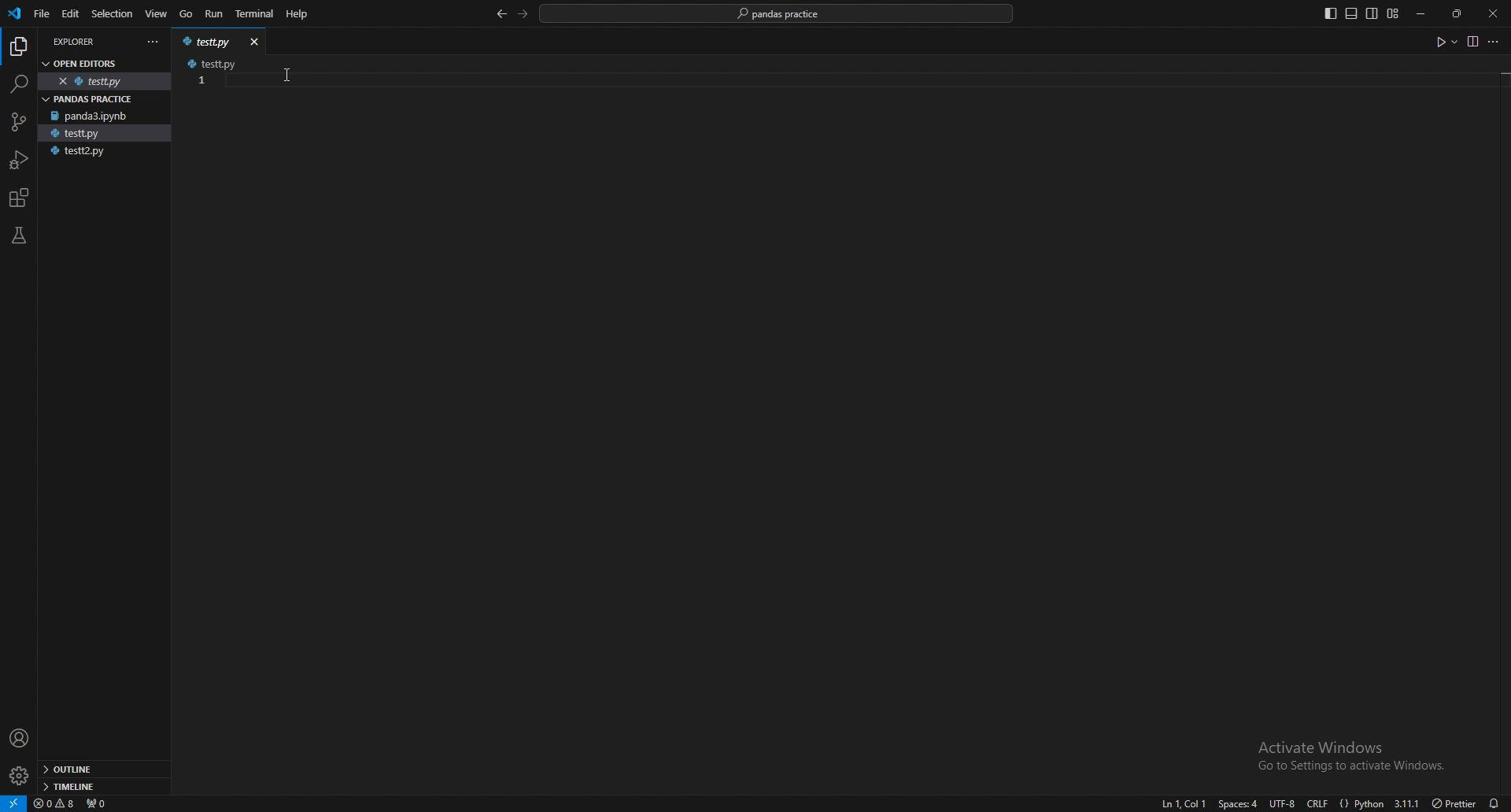 Image resolution: width=1511 pixels, height=812 pixels. What do you see at coordinates (95, 802) in the screenshot?
I see `ports forwarded` at bounding box center [95, 802].